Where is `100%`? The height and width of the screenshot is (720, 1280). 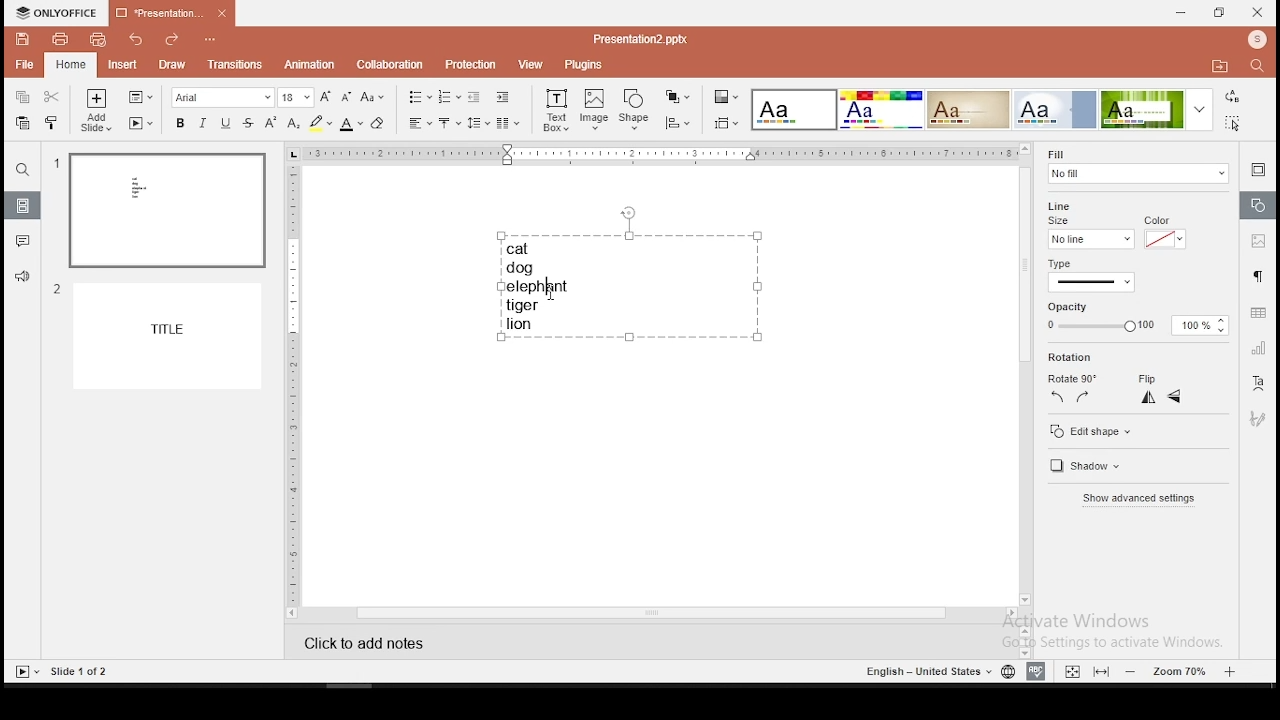 100% is located at coordinates (1201, 325).